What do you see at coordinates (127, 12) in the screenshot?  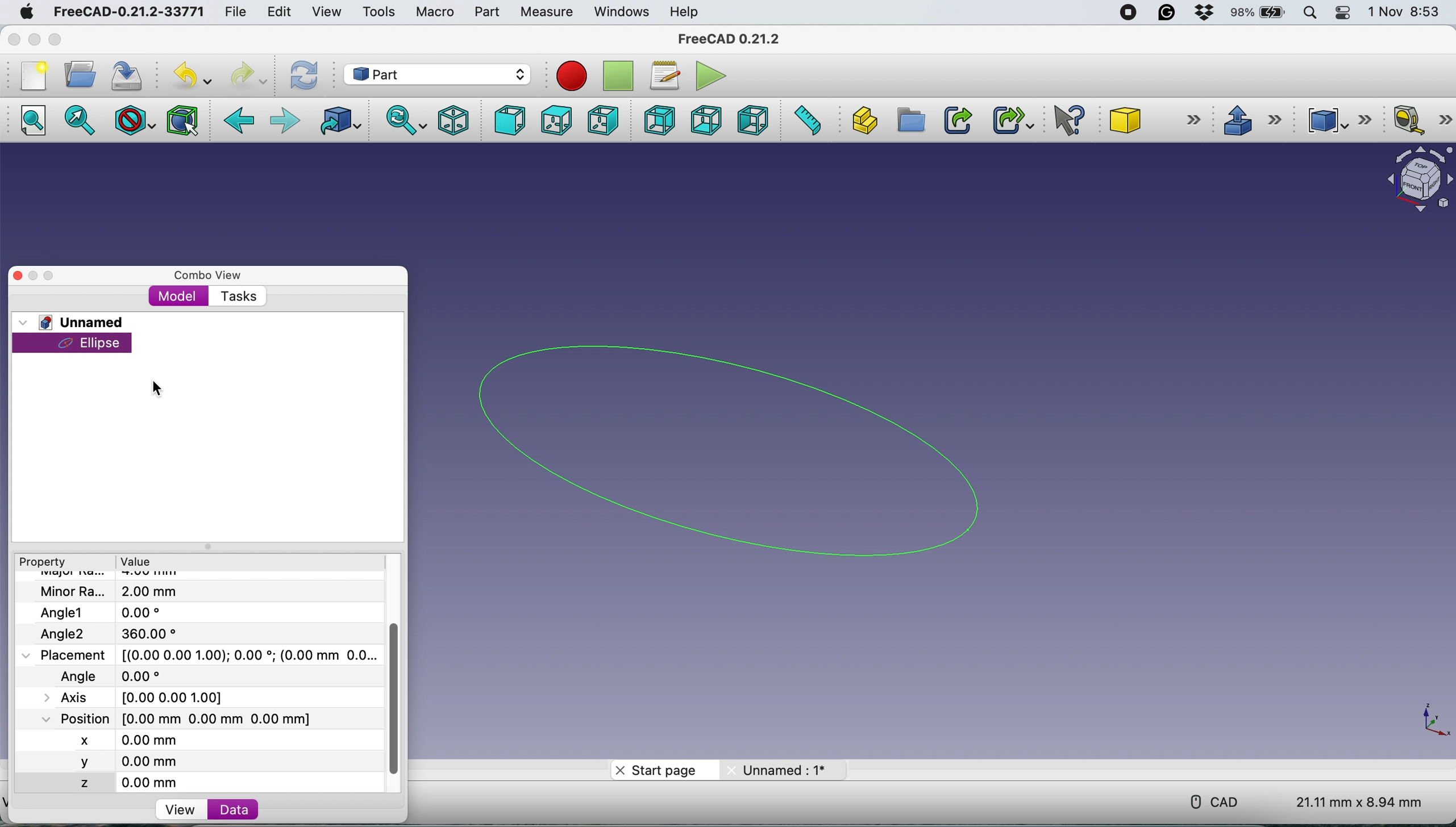 I see `freecad` at bounding box center [127, 12].